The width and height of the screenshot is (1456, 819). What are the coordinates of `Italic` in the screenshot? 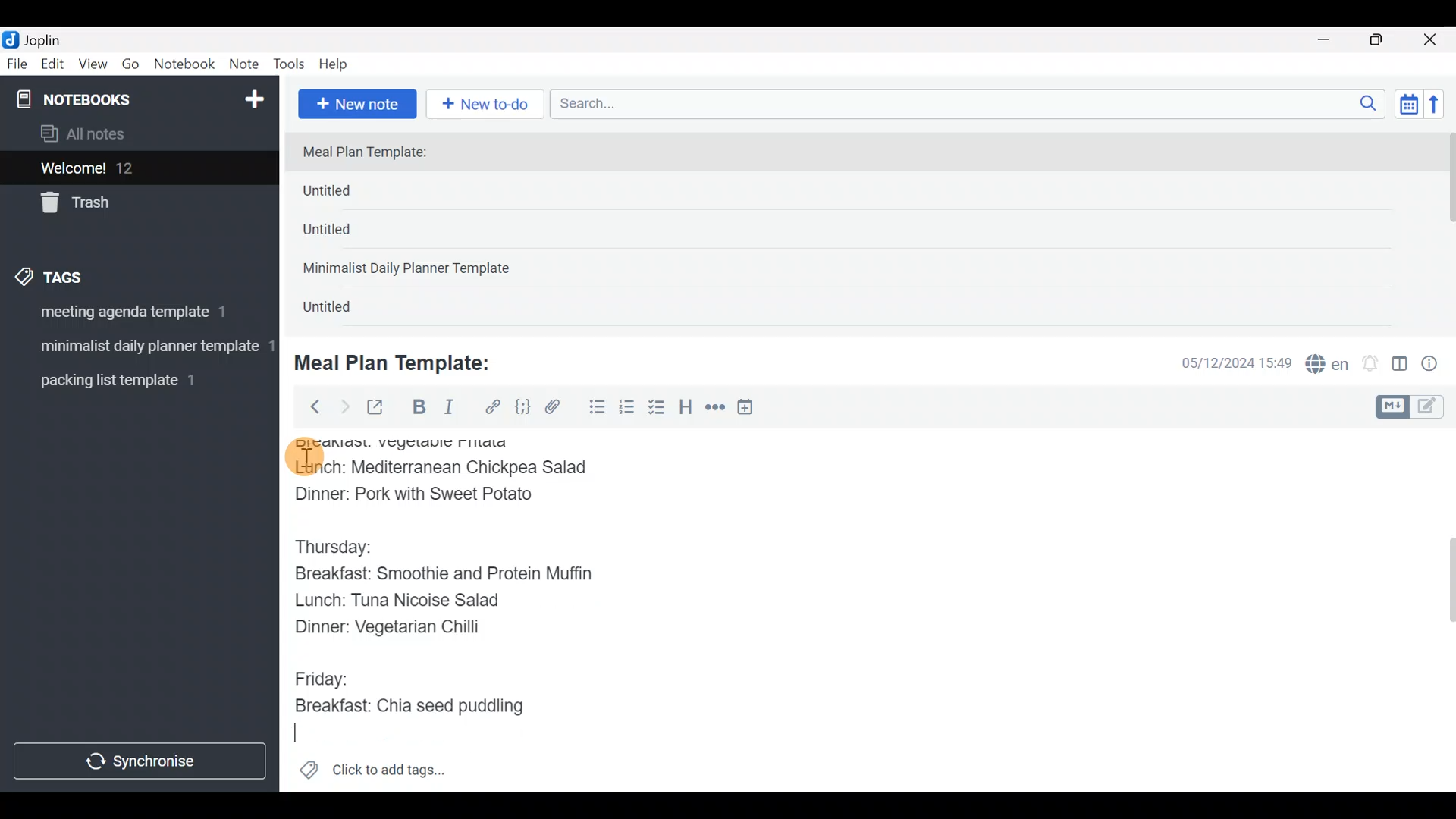 It's located at (447, 410).